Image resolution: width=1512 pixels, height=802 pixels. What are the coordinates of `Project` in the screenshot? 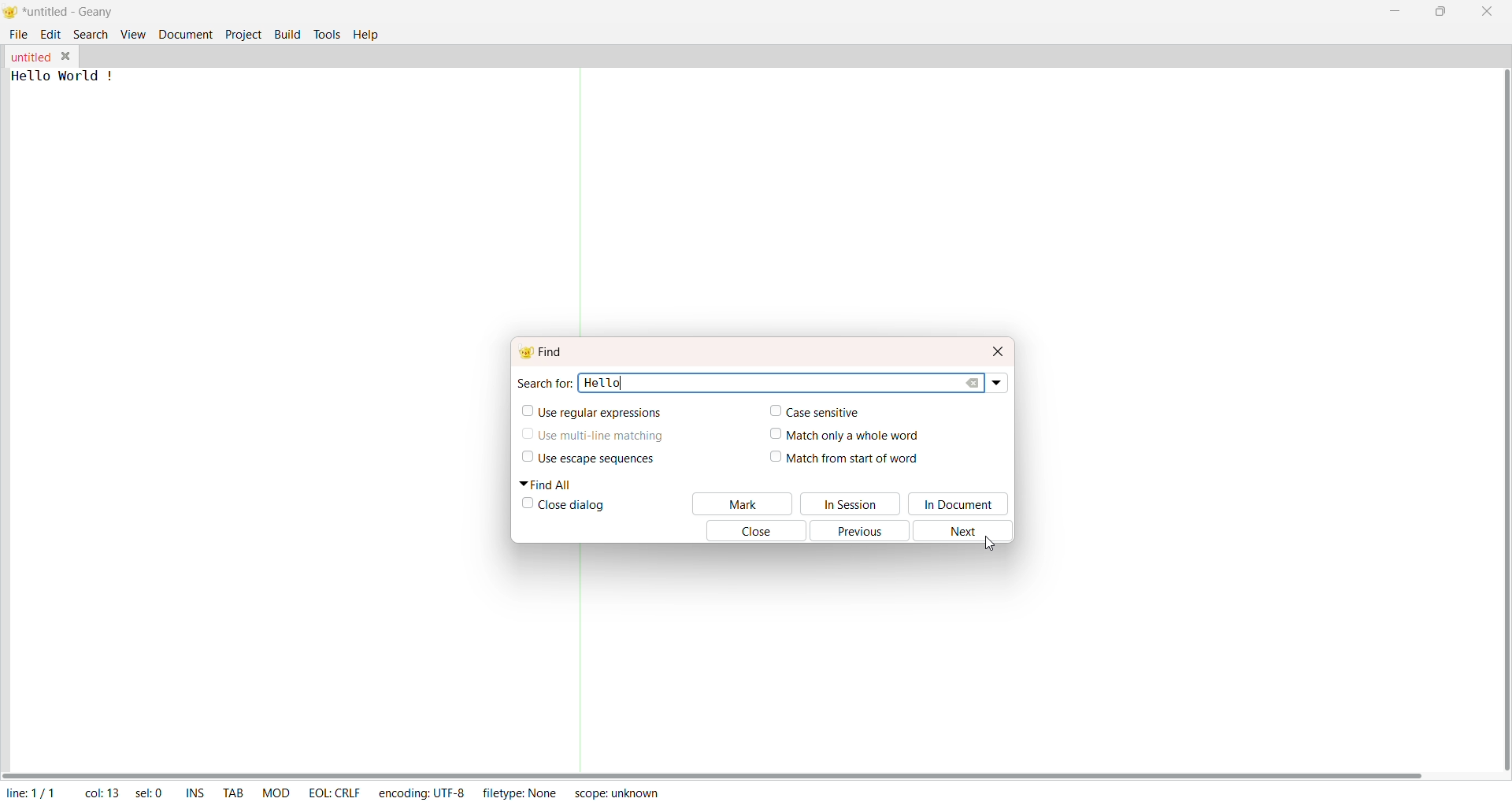 It's located at (243, 35).